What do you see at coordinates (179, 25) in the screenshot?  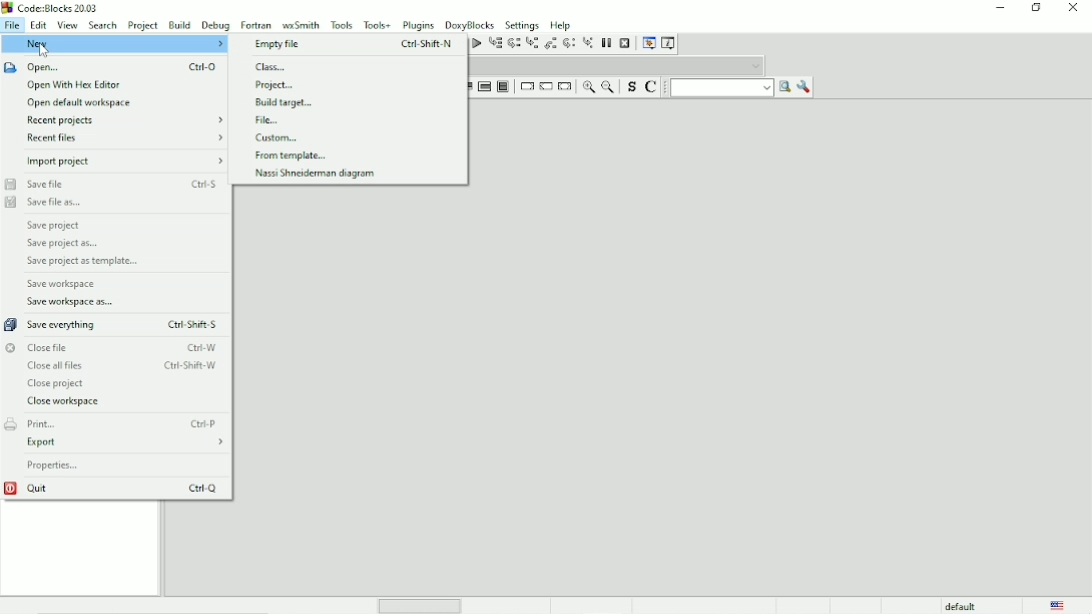 I see `Build` at bounding box center [179, 25].